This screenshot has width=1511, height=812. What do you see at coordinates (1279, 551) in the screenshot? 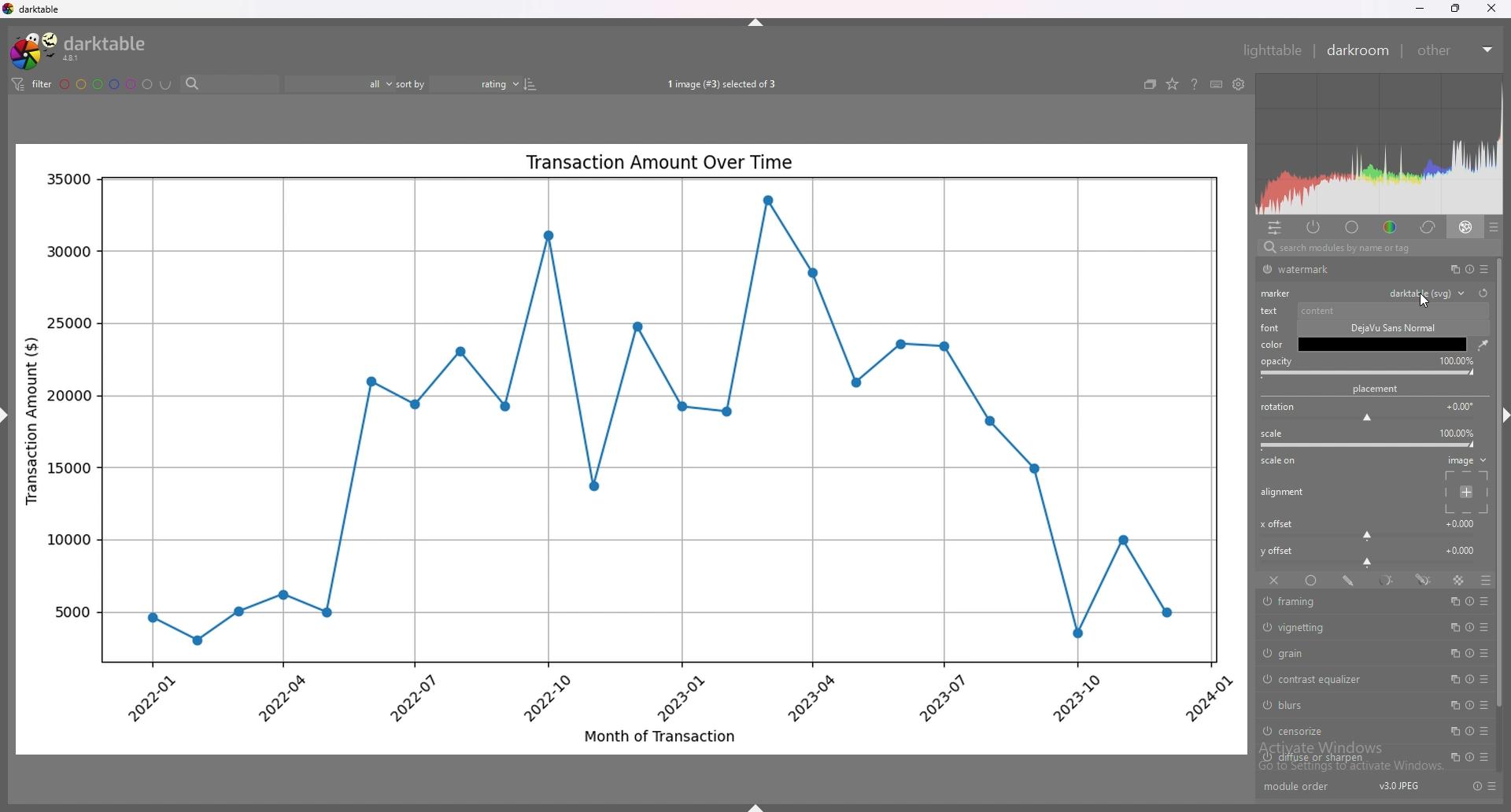
I see `y offset` at bounding box center [1279, 551].